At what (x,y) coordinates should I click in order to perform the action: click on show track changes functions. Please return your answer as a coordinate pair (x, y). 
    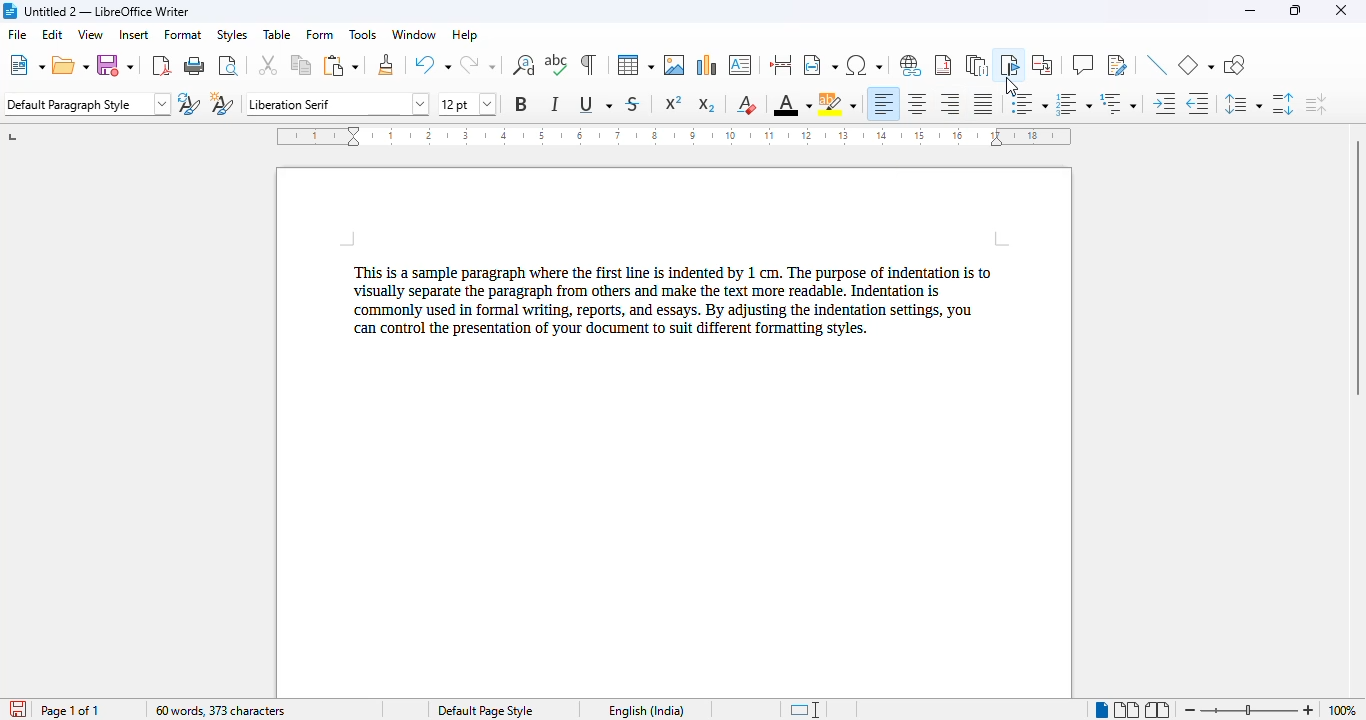
    Looking at the image, I should click on (1117, 65).